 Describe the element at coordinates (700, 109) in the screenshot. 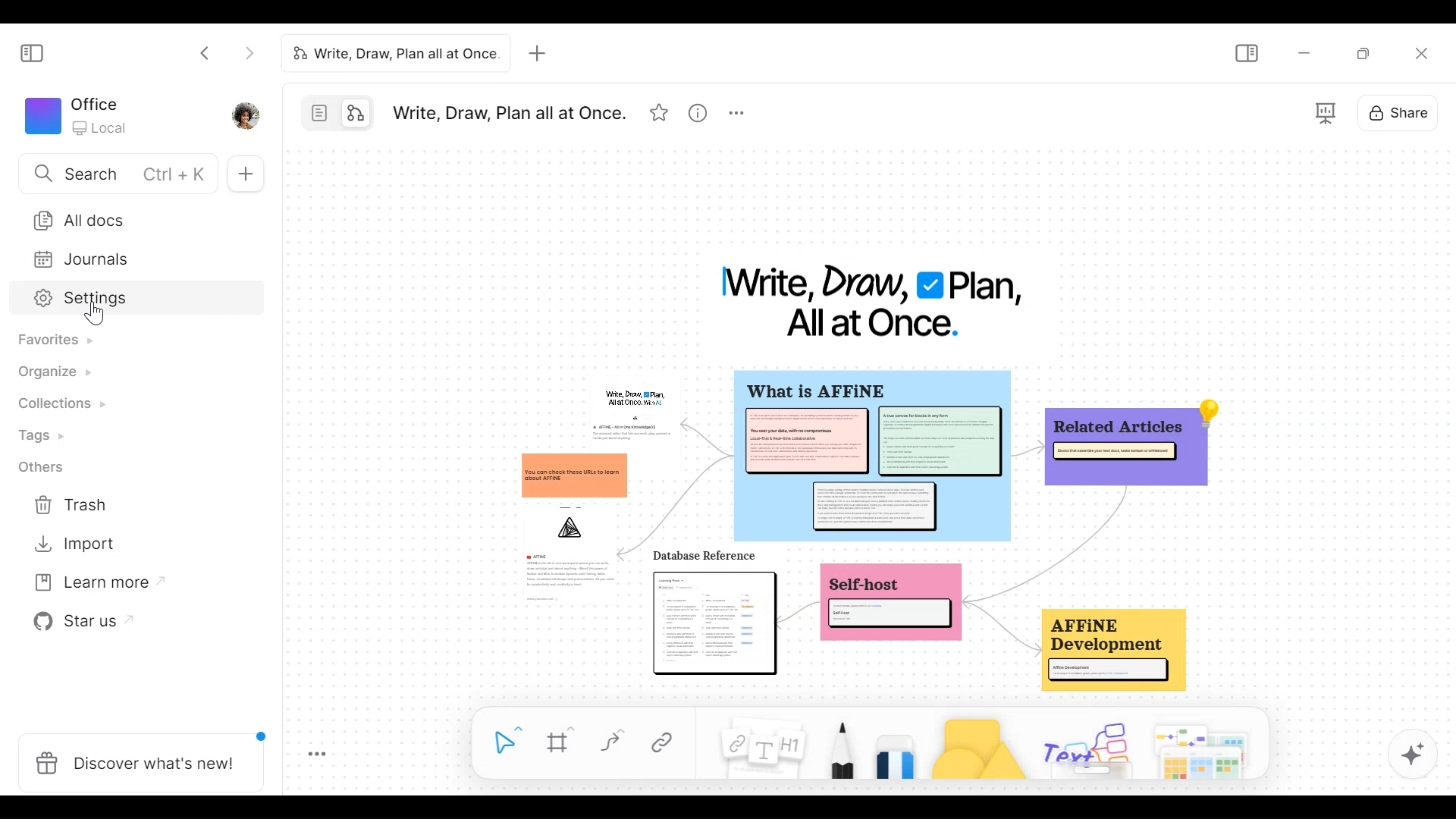

I see `View Information` at that location.